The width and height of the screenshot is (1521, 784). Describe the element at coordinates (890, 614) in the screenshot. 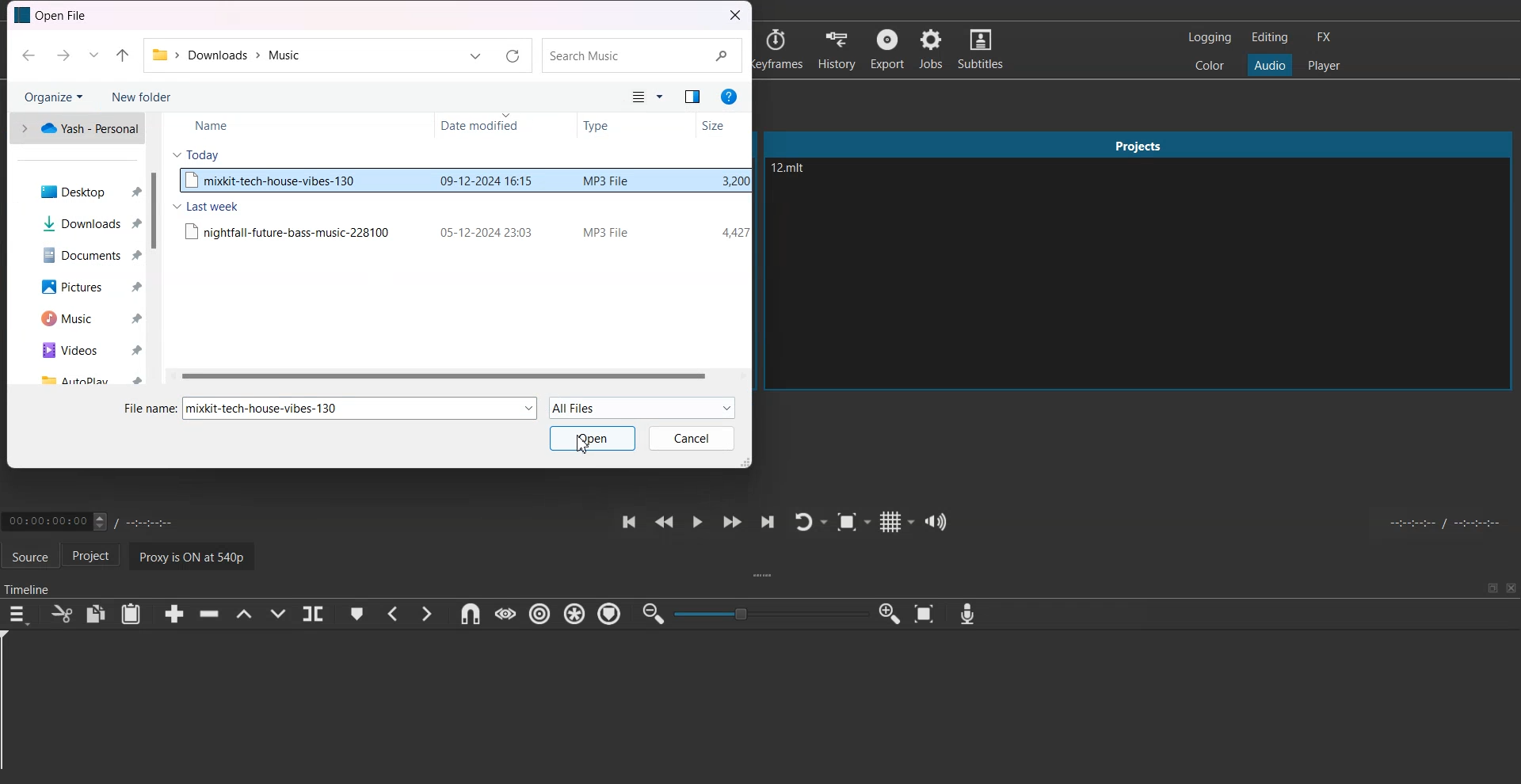

I see `Zoom timeline in` at that location.